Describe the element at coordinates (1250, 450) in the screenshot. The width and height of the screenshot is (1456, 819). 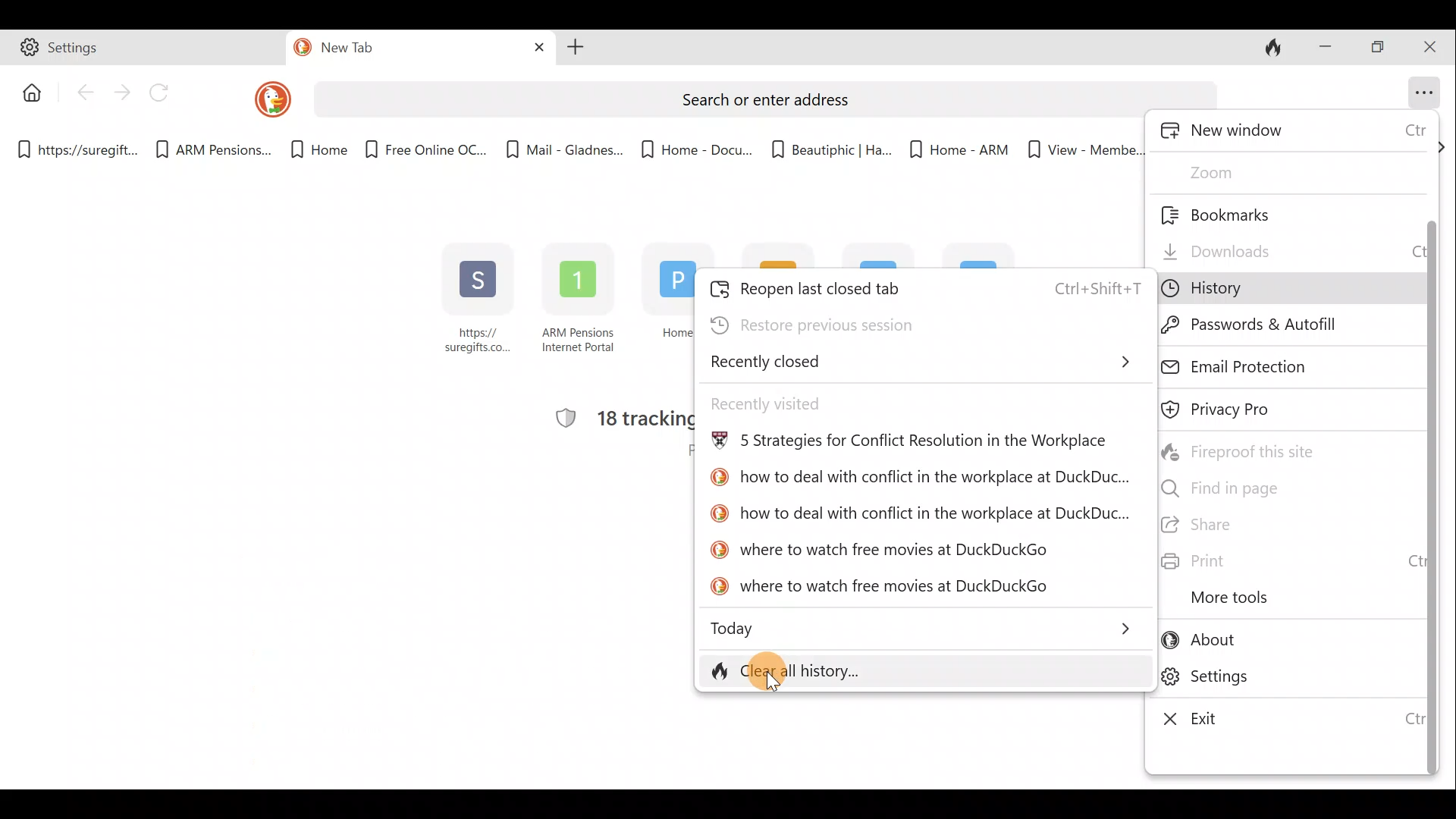
I see `Fireproof this site` at that location.